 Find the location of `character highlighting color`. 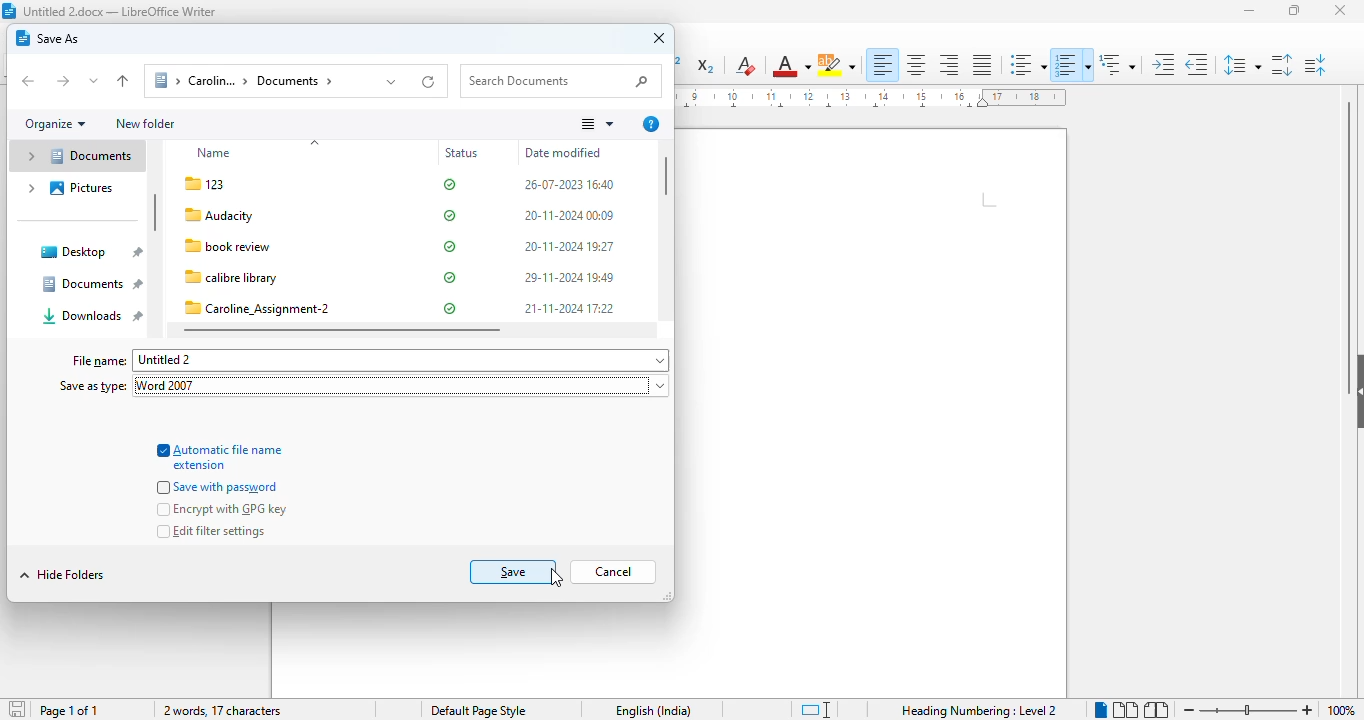

character highlighting color is located at coordinates (837, 65).